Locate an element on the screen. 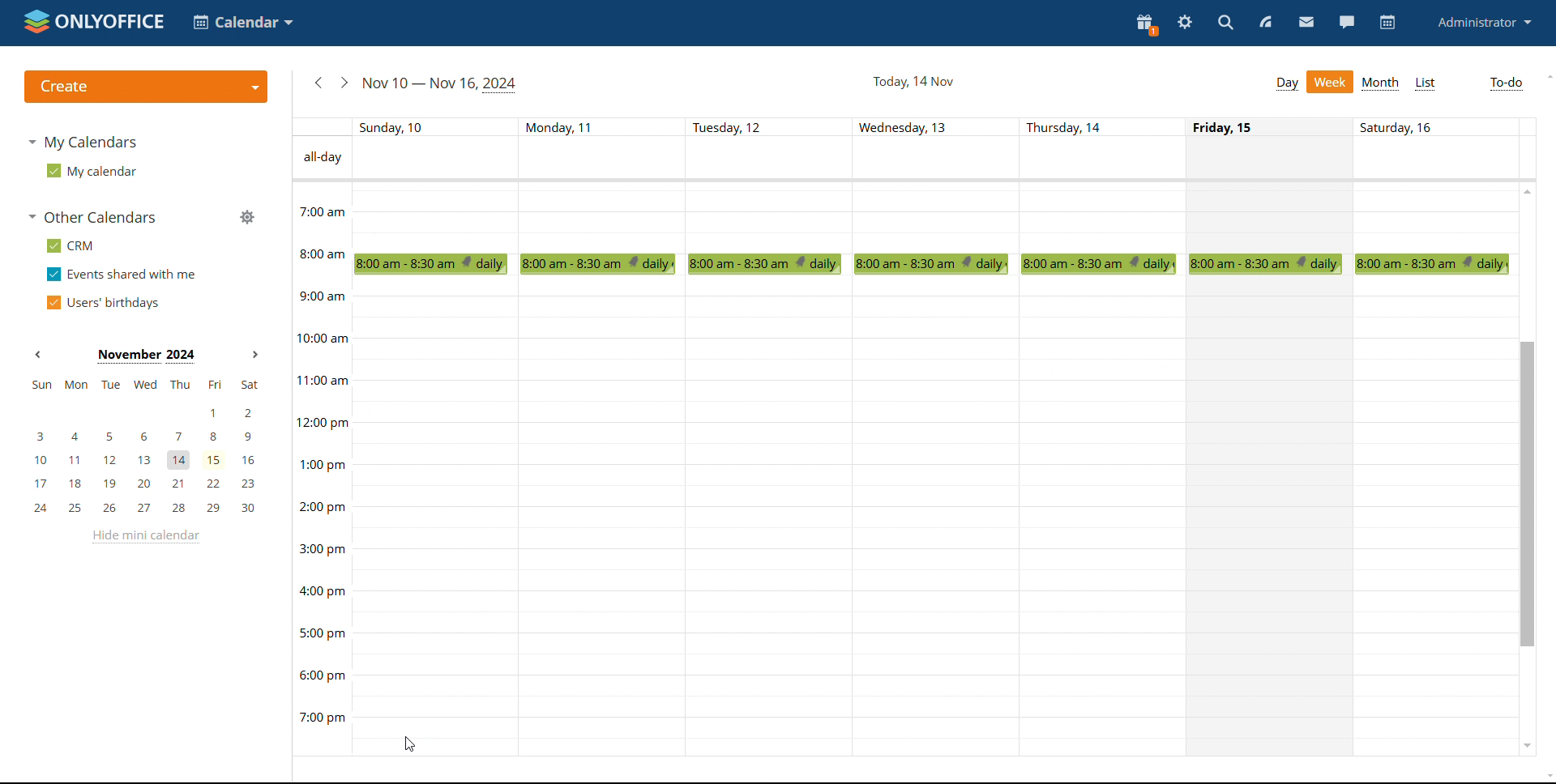 The width and height of the screenshot is (1556, 784). current week is located at coordinates (440, 83).